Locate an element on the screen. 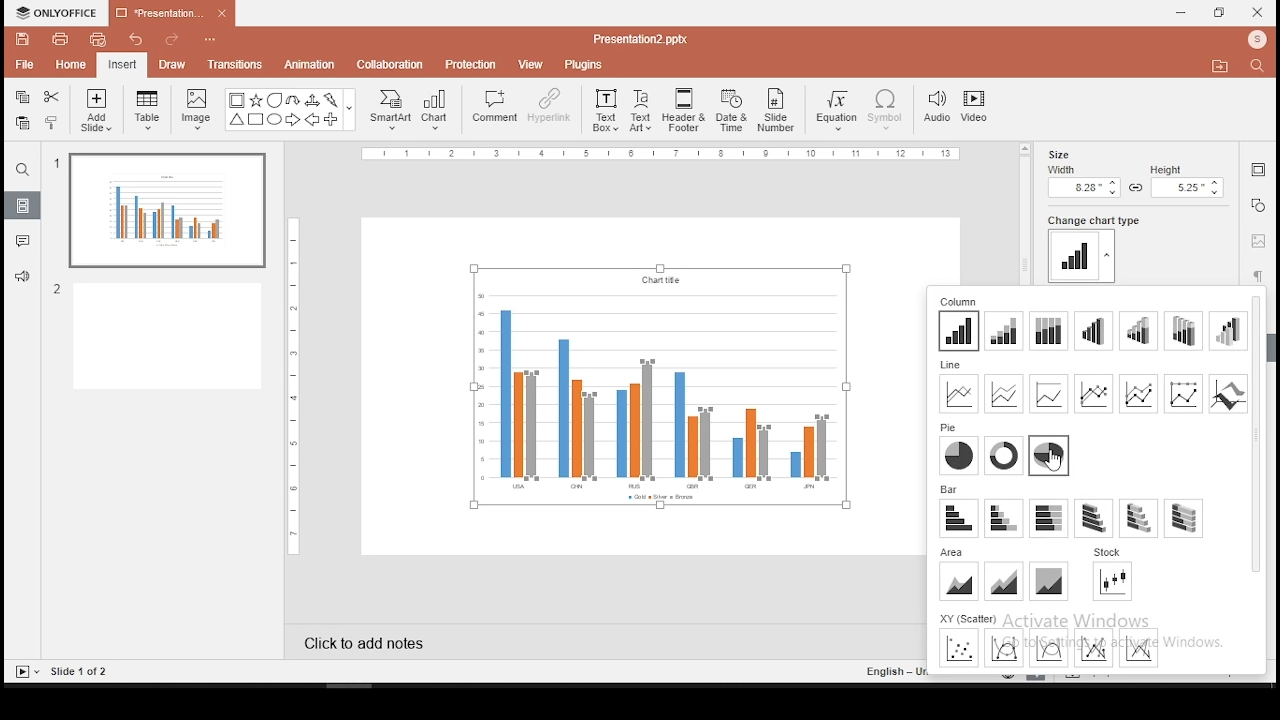 This screenshot has width=1280, height=720. column 2 is located at coordinates (1006, 331).